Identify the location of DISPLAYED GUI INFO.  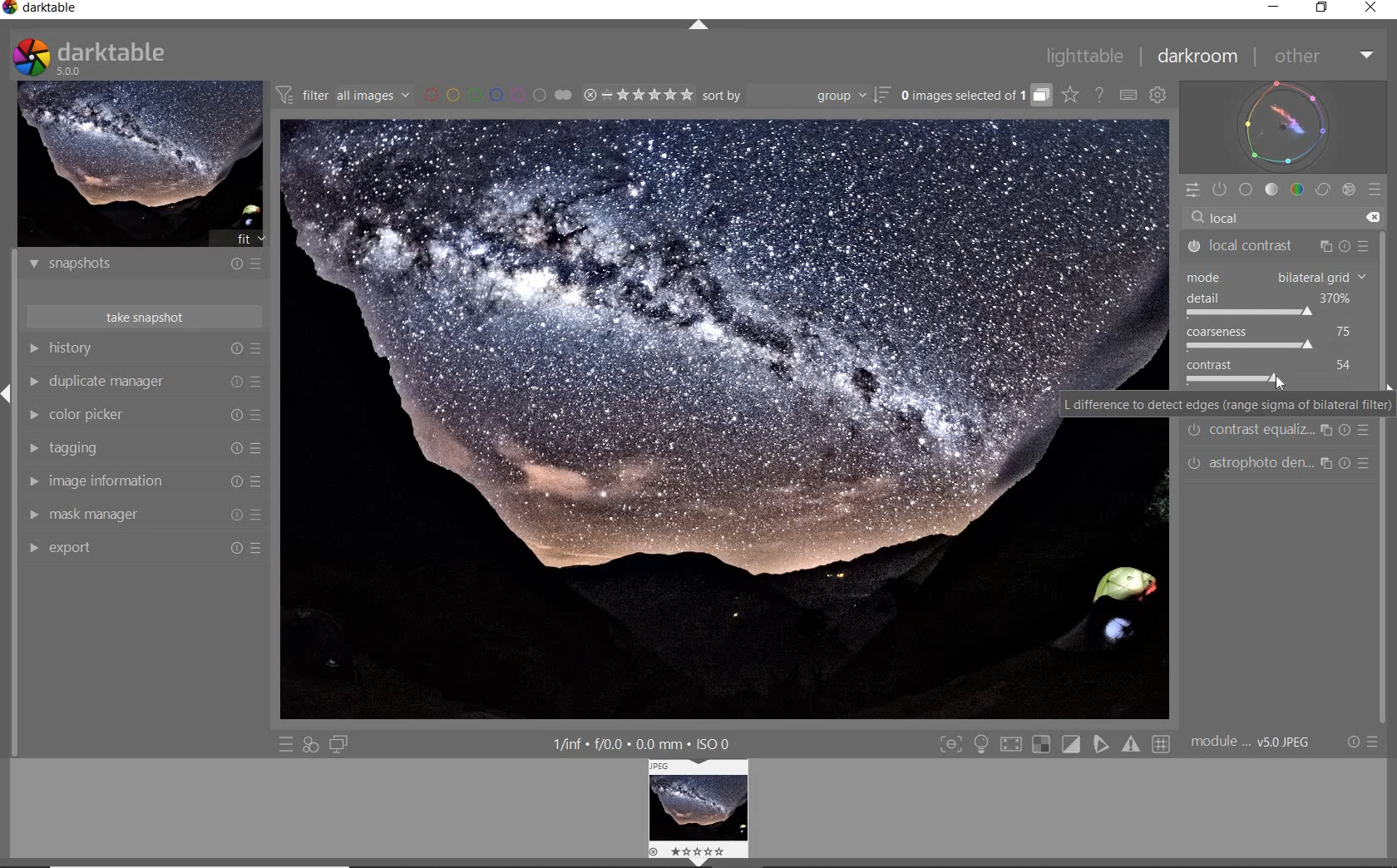
(641, 743).